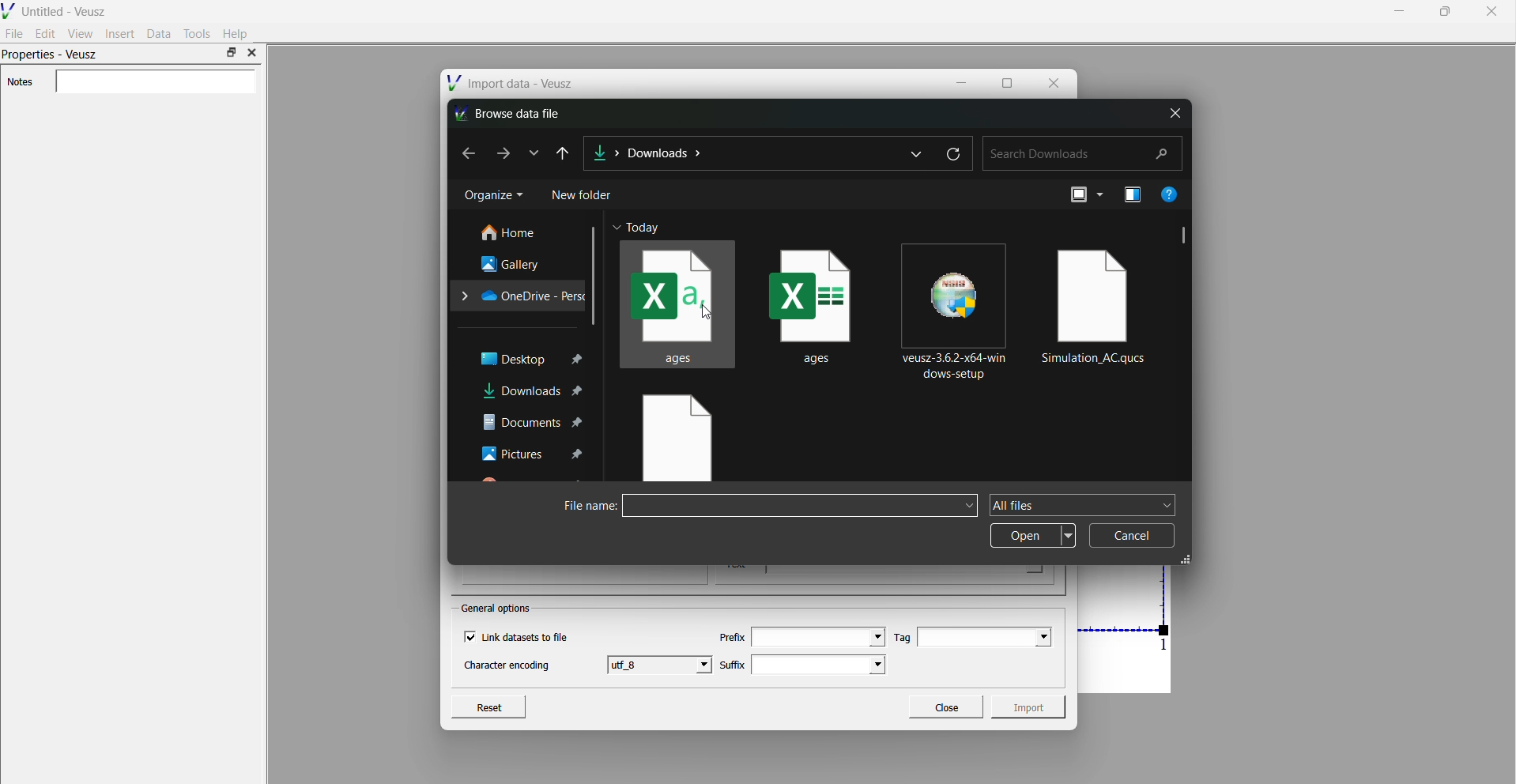 Image resolution: width=1516 pixels, height=784 pixels. What do you see at coordinates (462, 153) in the screenshot?
I see `back ` at bounding box center [462, 153].